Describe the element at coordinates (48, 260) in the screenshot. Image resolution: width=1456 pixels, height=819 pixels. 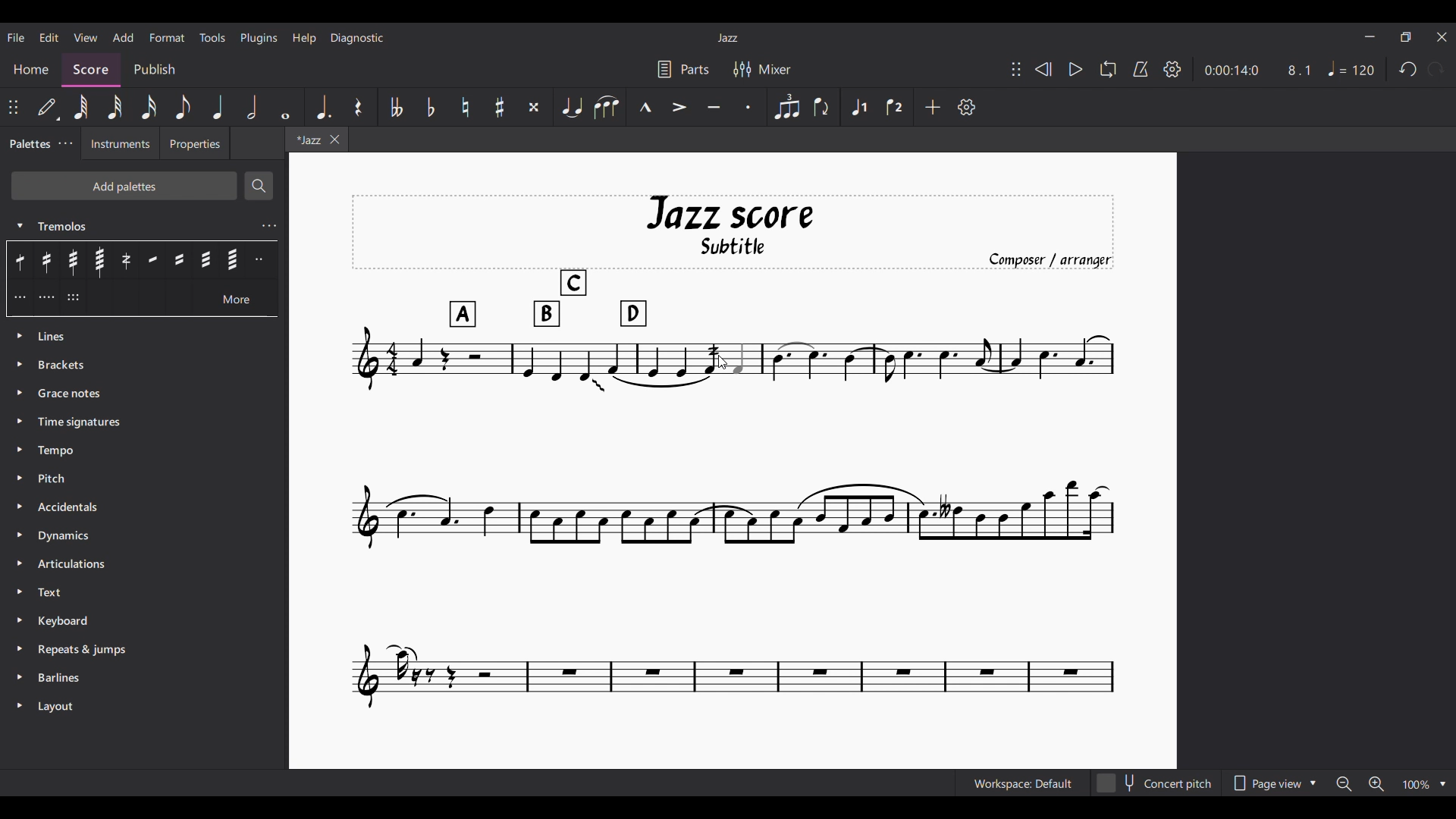
I see `16th through stem` at that location.